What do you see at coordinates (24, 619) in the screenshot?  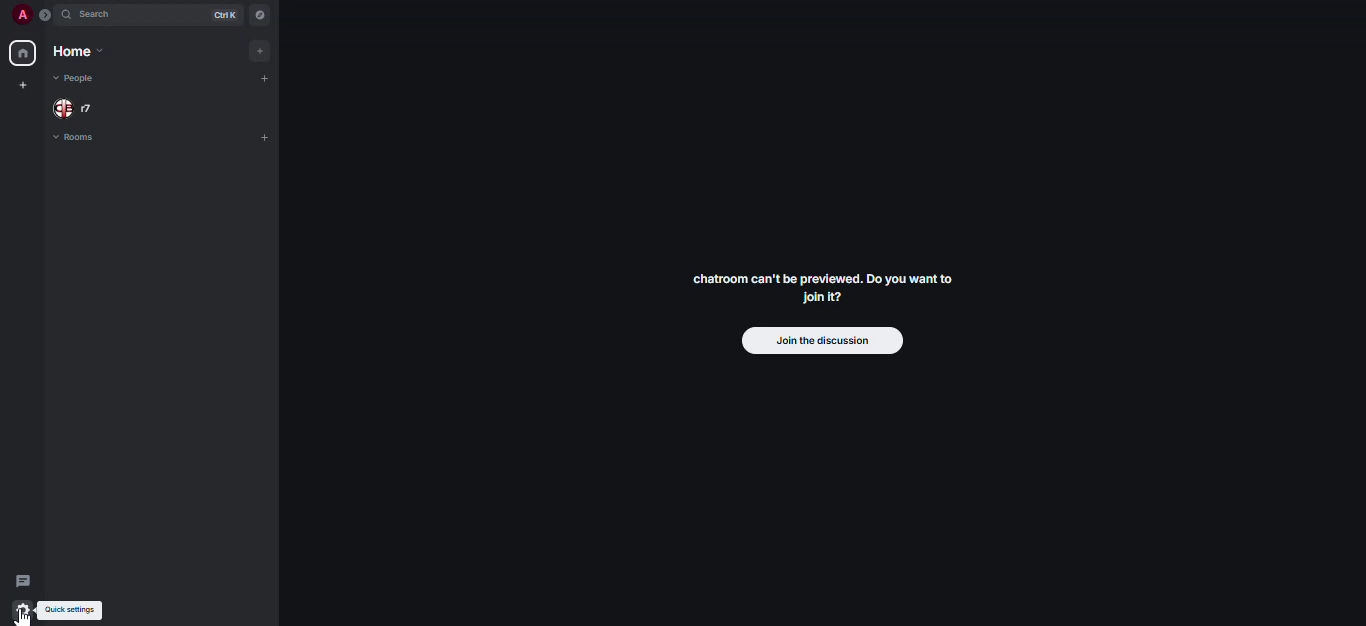 I see `Cursor on quick settings` at bounding box center [24, 619].